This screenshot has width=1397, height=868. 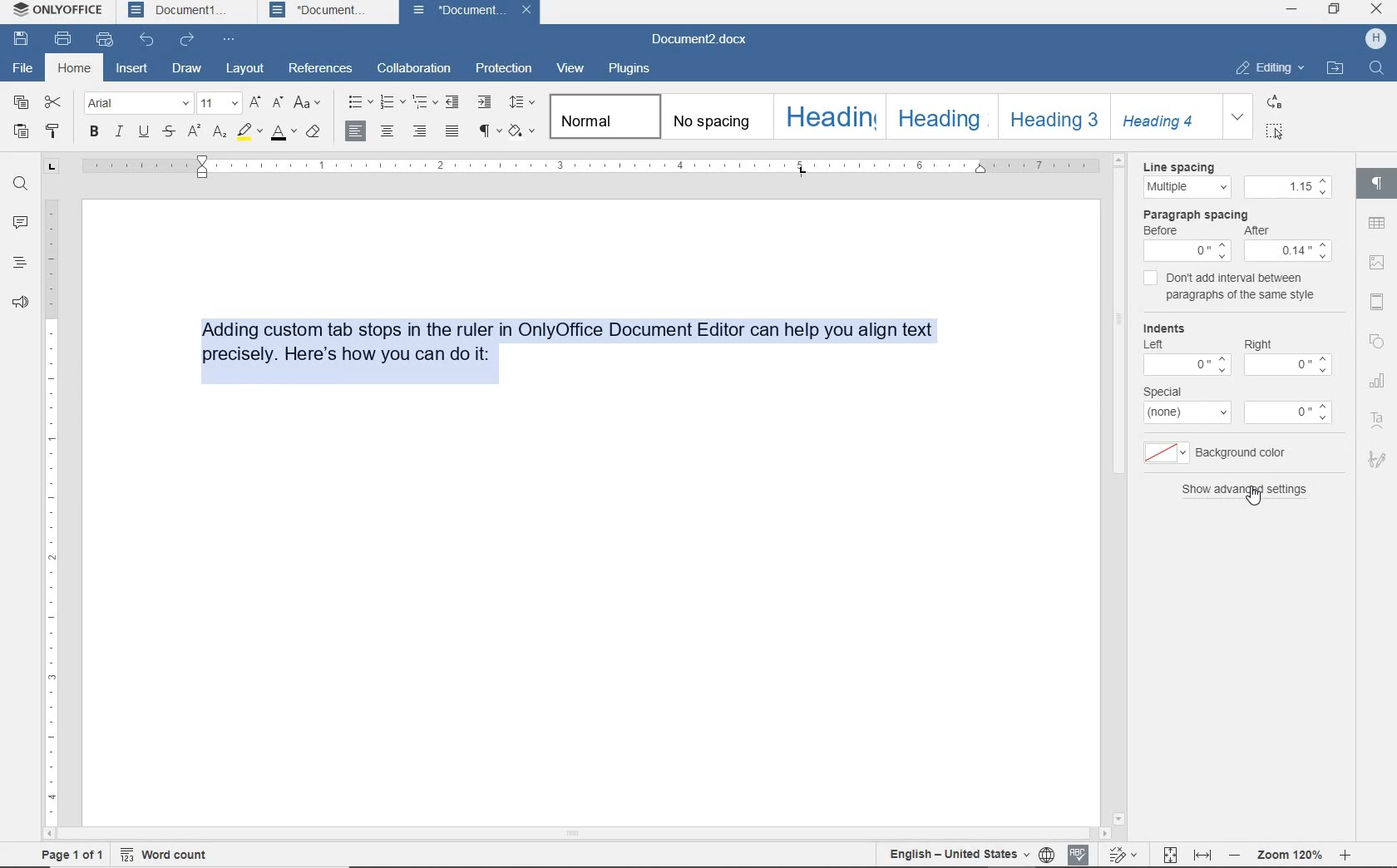 I want to click on print, so click(x=63, y=39).